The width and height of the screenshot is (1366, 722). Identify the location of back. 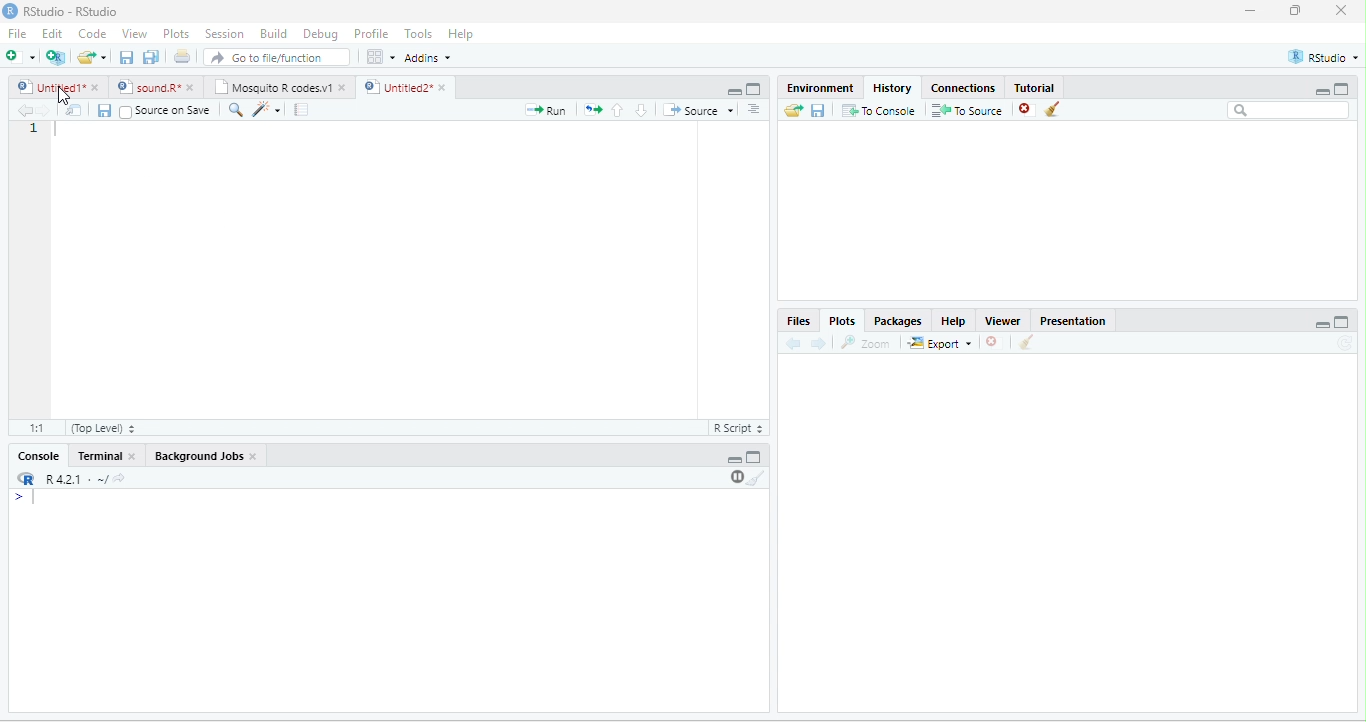
(792, 344).